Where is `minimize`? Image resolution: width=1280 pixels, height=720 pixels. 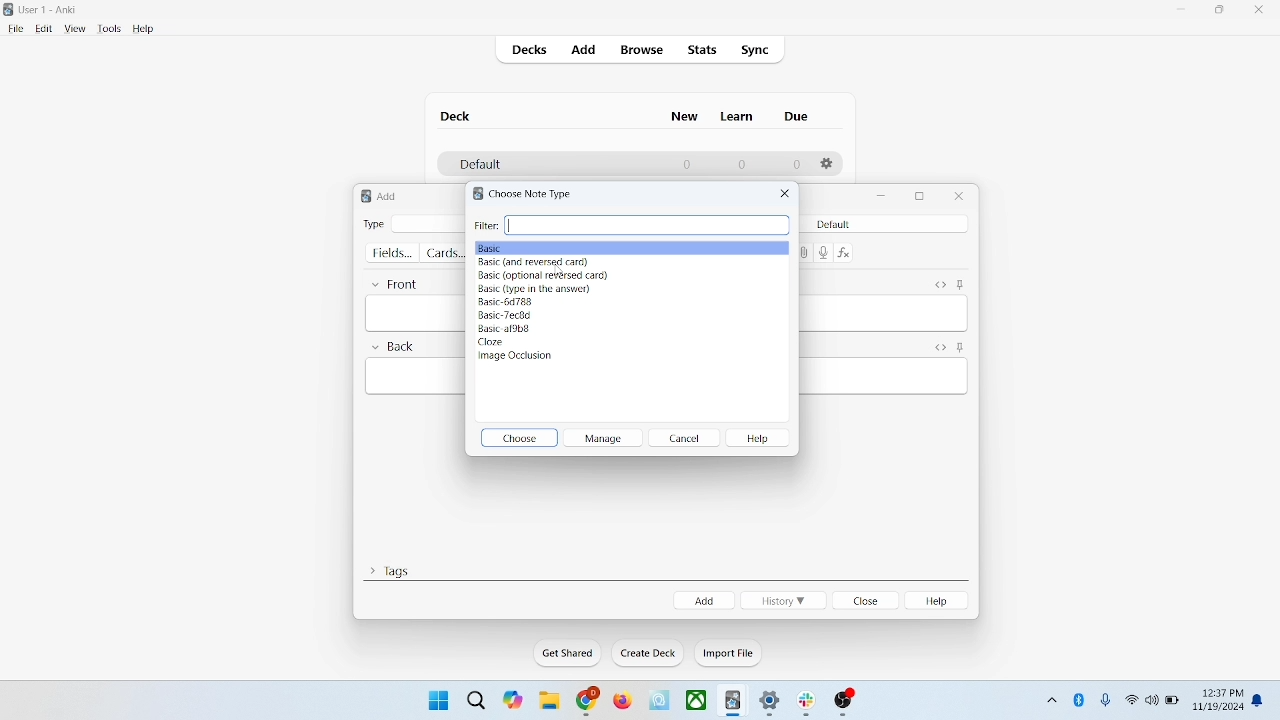
minimize is located at coordinates (884, 197).